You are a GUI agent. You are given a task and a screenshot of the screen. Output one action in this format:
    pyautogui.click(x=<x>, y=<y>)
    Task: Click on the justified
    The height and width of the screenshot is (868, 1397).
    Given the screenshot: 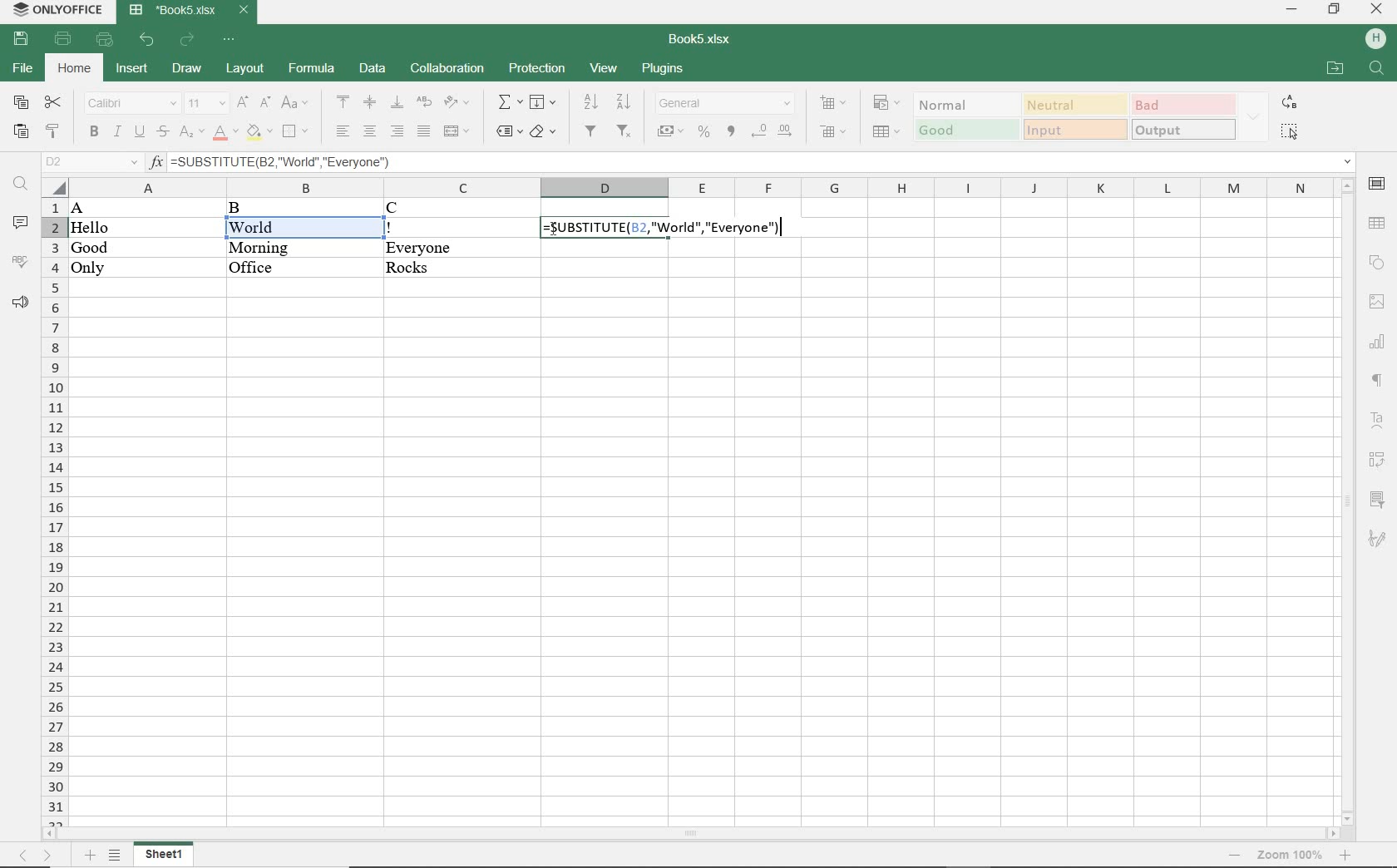 What is the action you would take?
    pyautogui.click(x=423, y=131)
    